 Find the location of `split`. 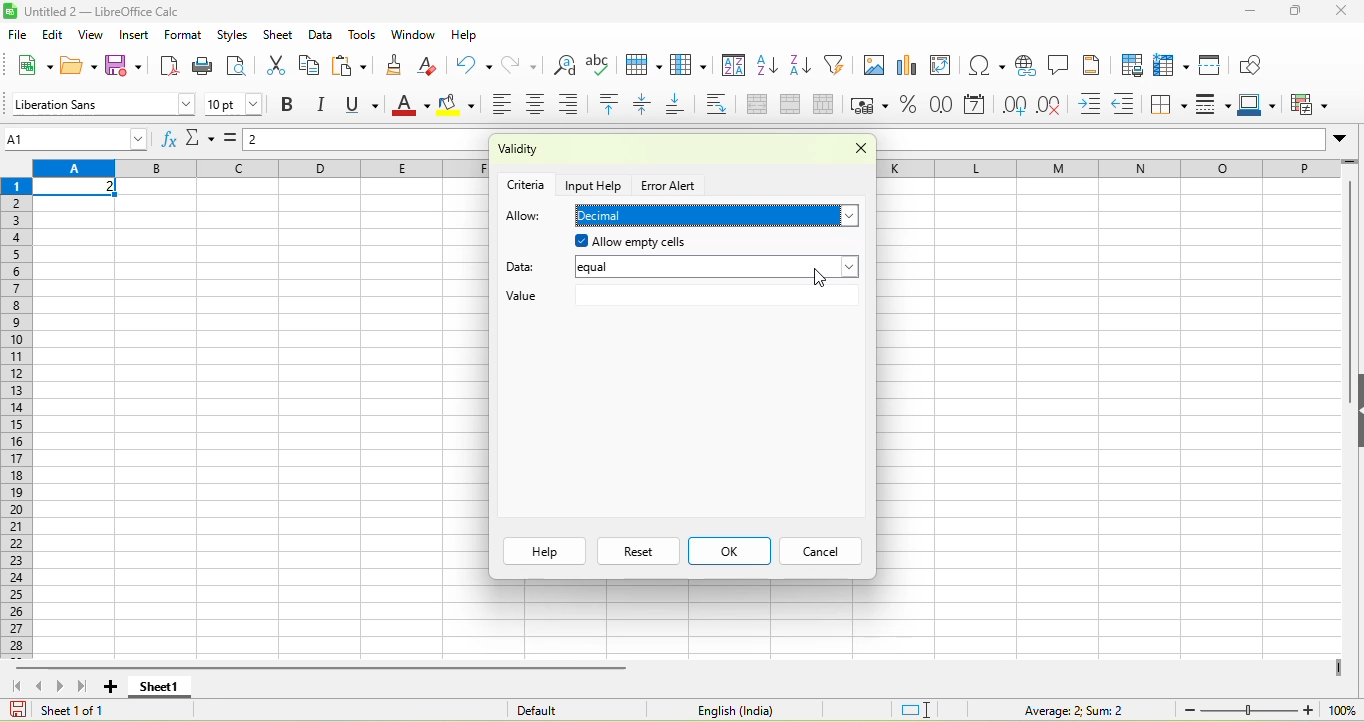

split is located at coordinates (828, 105).